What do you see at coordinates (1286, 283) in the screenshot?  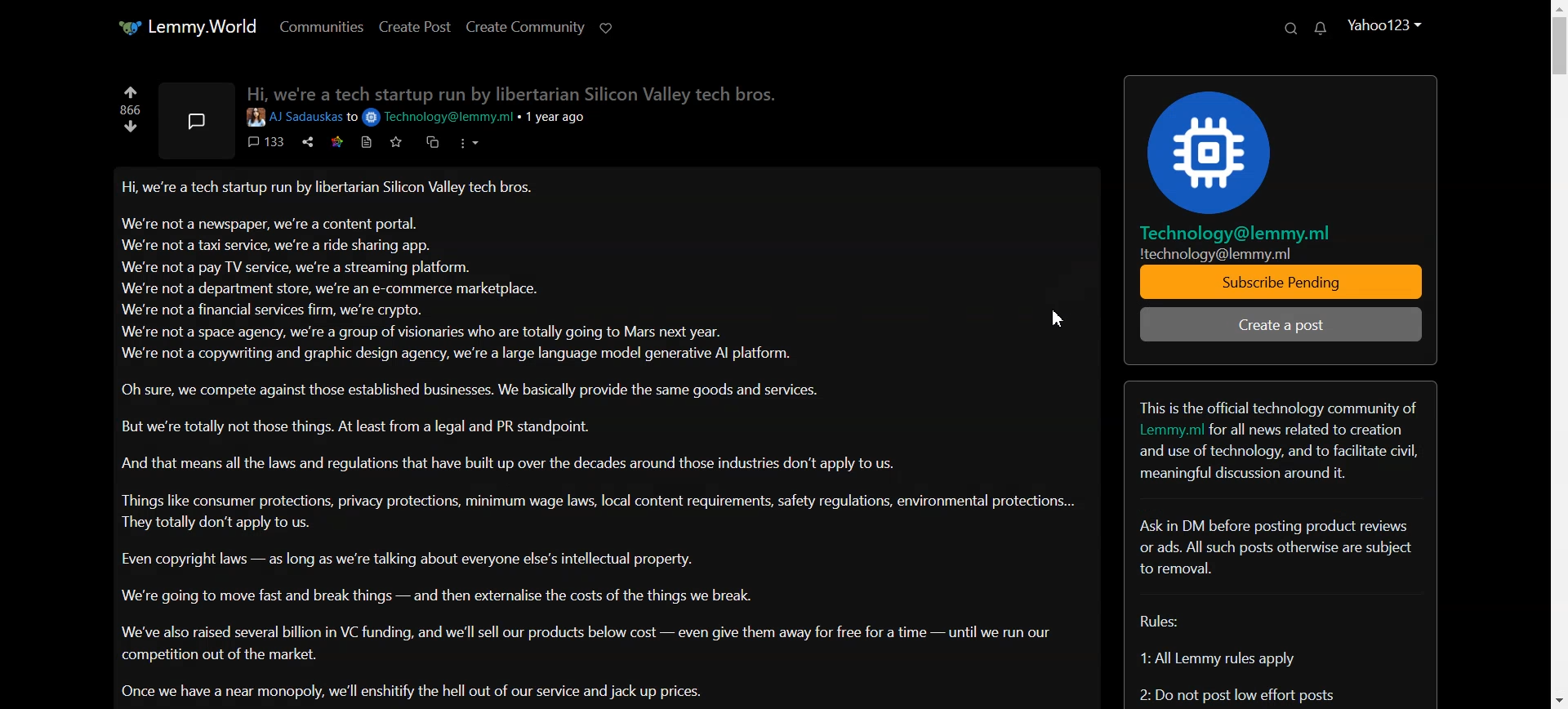 I see `Subscribe Pending` at bounding box center [1286, 283].